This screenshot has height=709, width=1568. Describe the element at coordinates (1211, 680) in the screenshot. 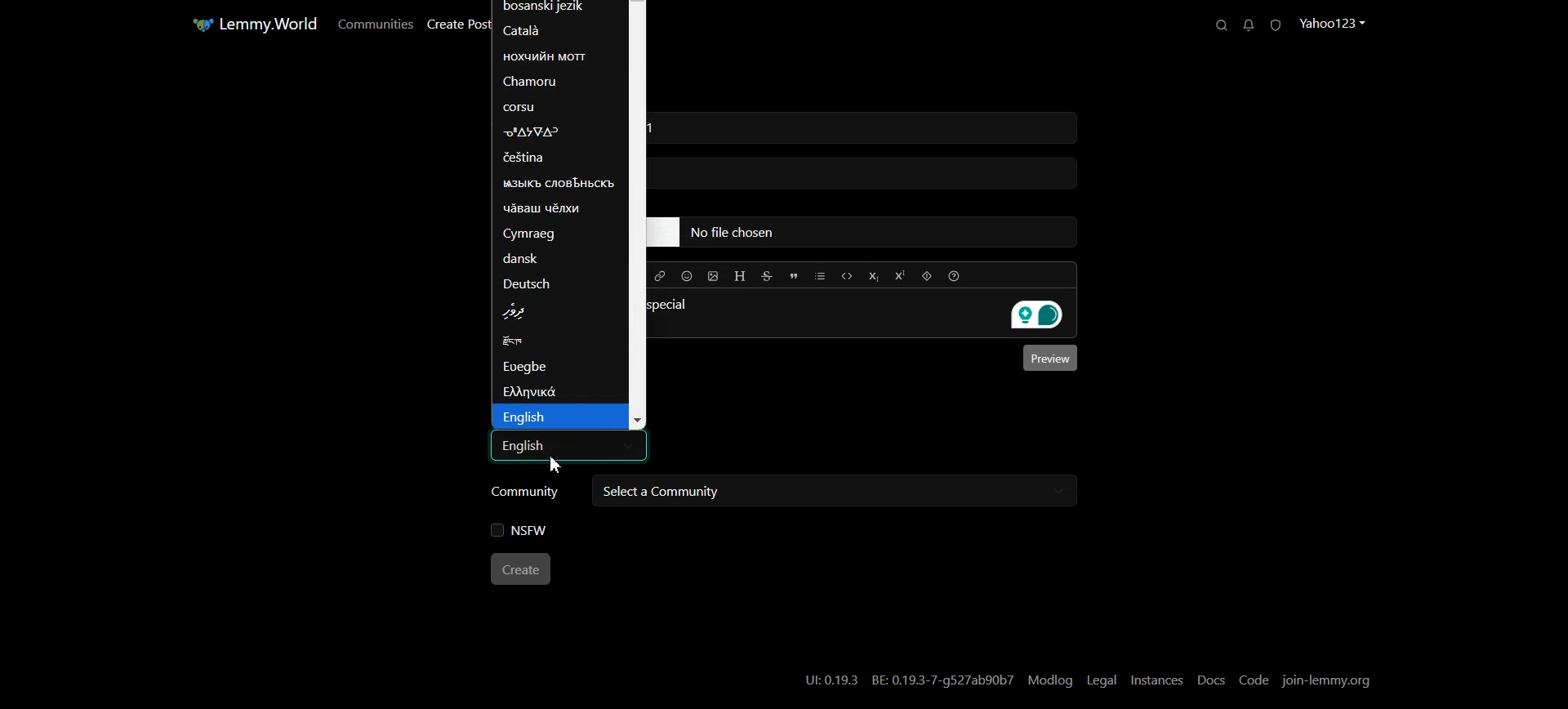

I see `Docs` at that location.